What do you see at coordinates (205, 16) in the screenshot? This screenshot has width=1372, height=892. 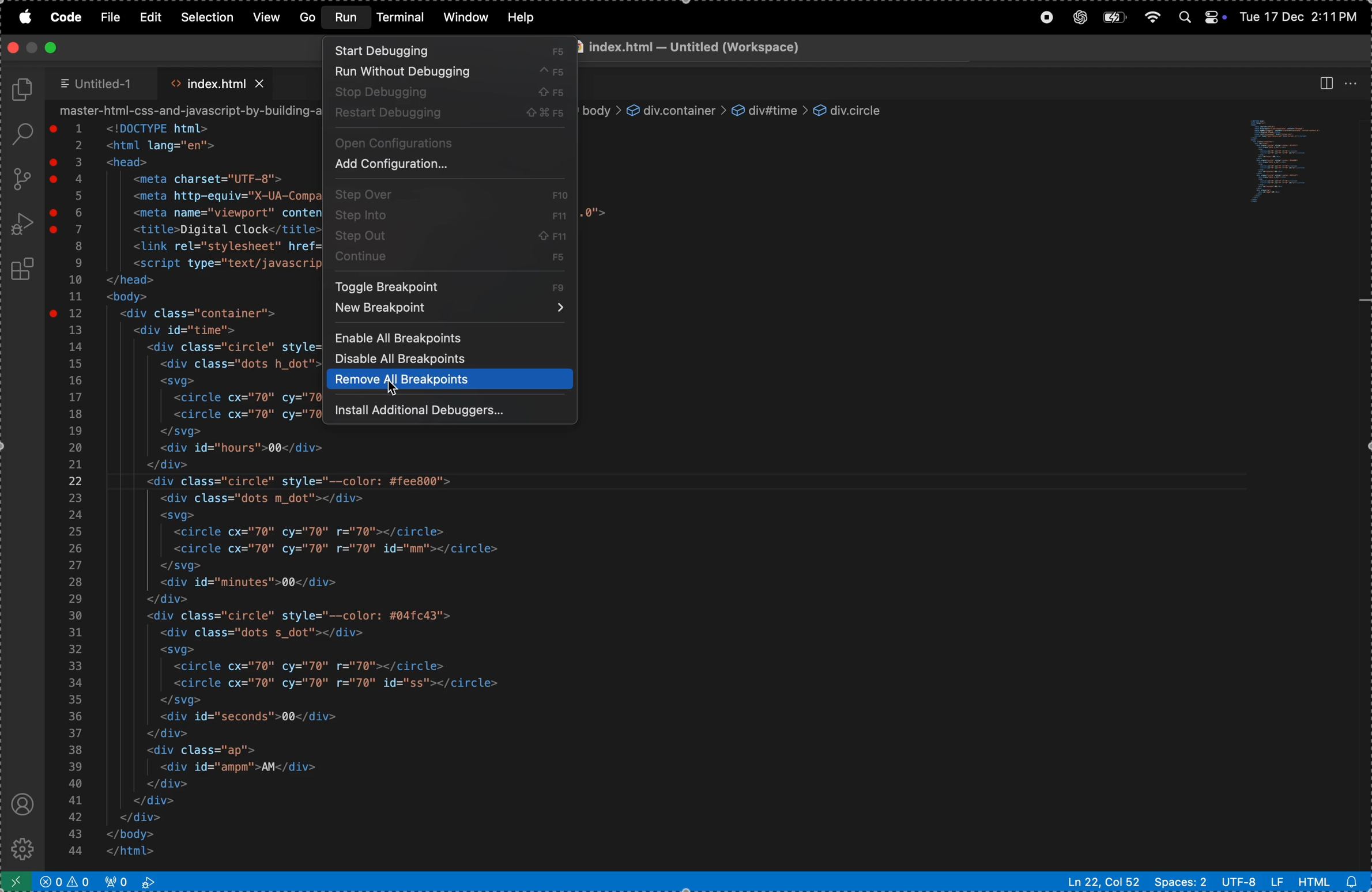 I see `selection` at bounding box center [205, 16].